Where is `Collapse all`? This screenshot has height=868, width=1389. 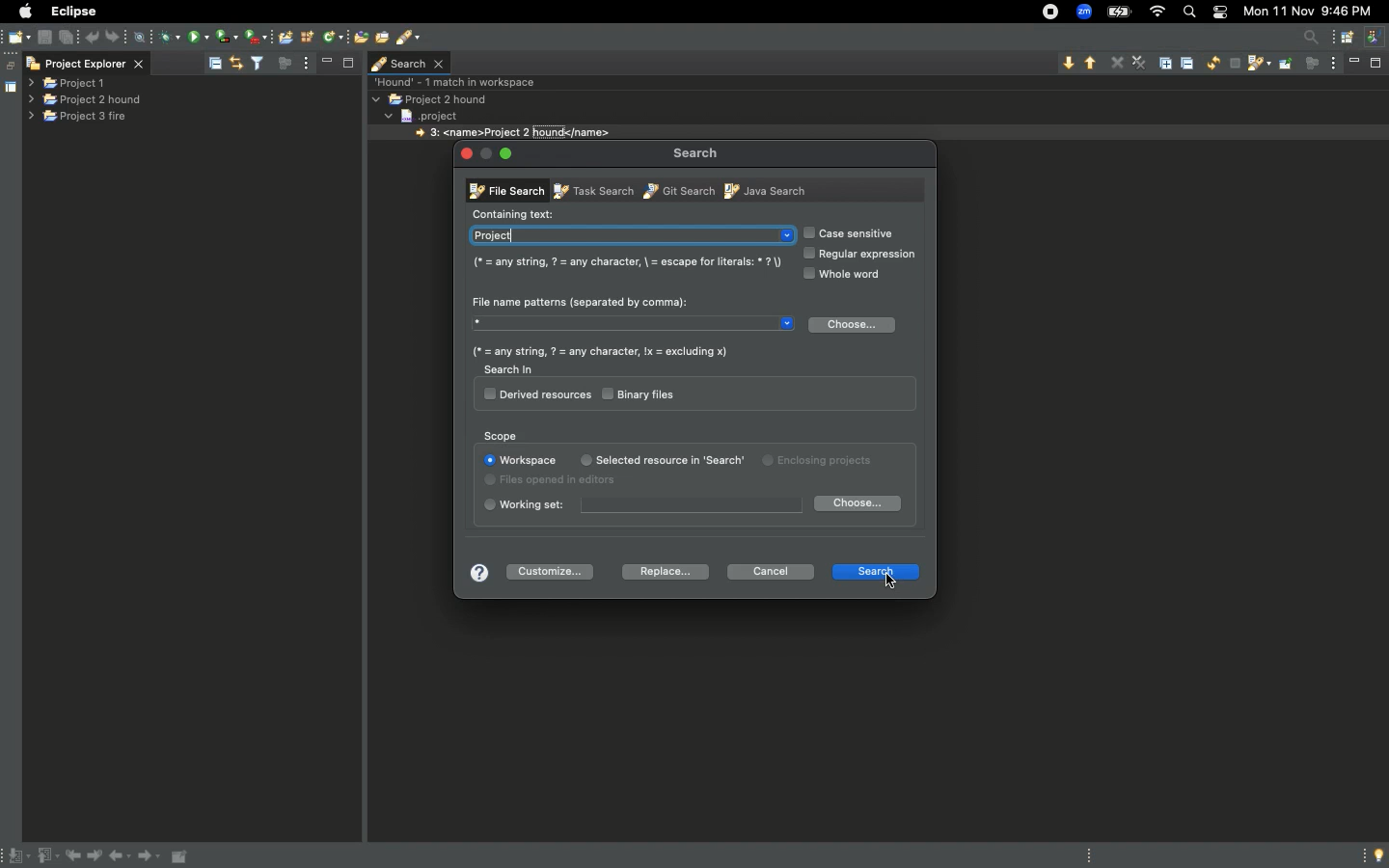
Collapse all is located at coordinates (1190, 66).